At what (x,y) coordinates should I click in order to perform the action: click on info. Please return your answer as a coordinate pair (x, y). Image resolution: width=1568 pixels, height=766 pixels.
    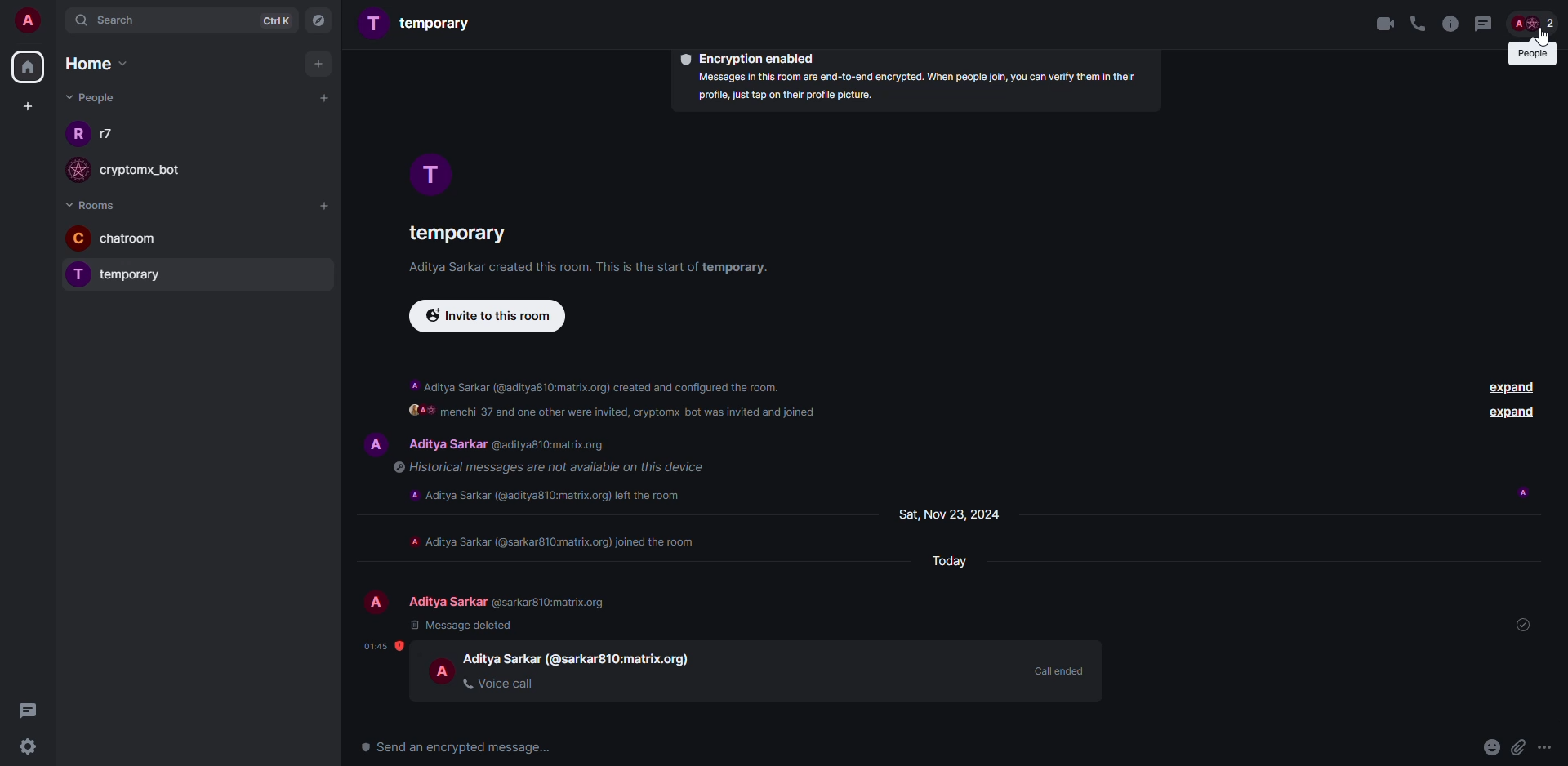
    Looking at the image, I should click on (551, 493).